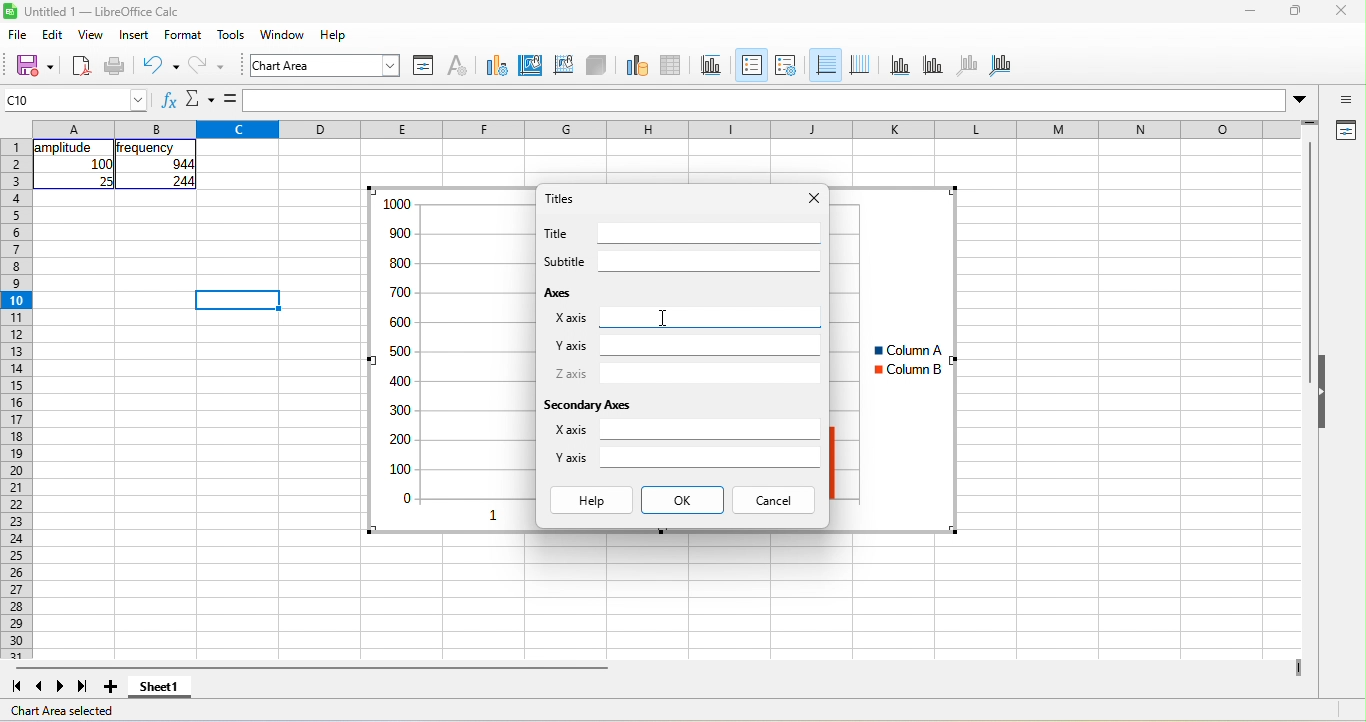 The image size is (1366, 722). What do you see at coordinates (1342, 10) in the screenshot?
I see `close` at bounding box center [1342, 10].